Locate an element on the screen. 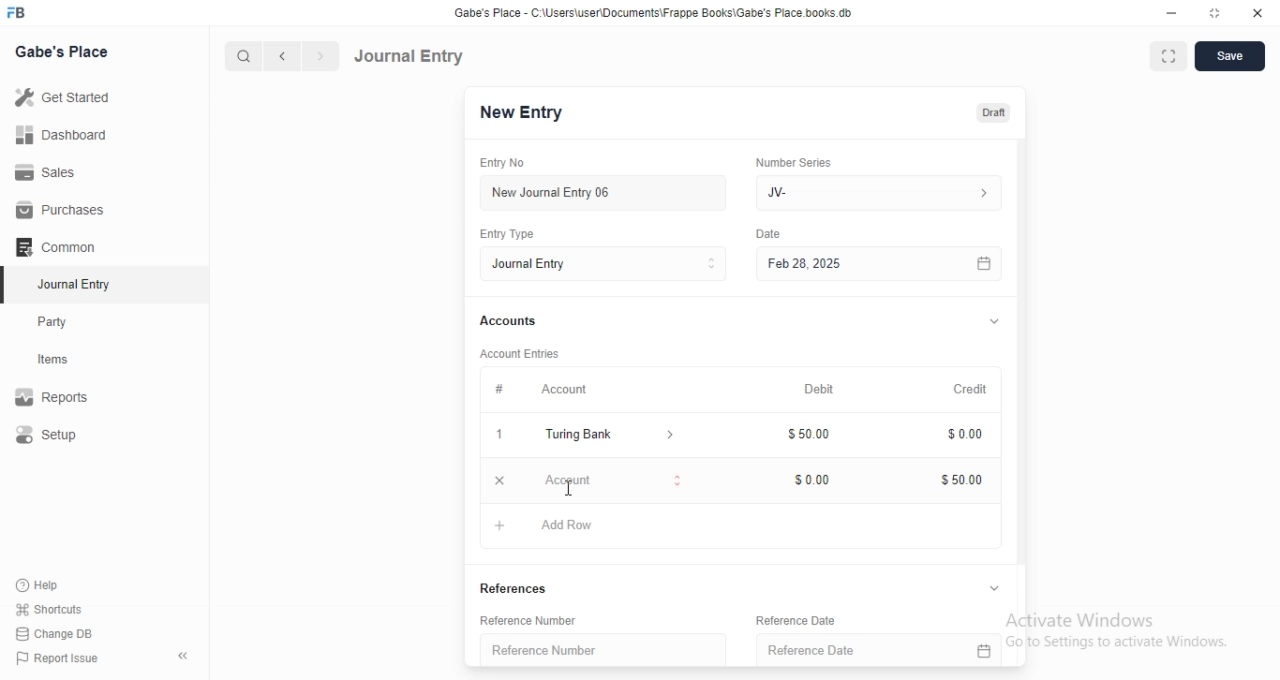  draft is located at coordinates (993, 114).